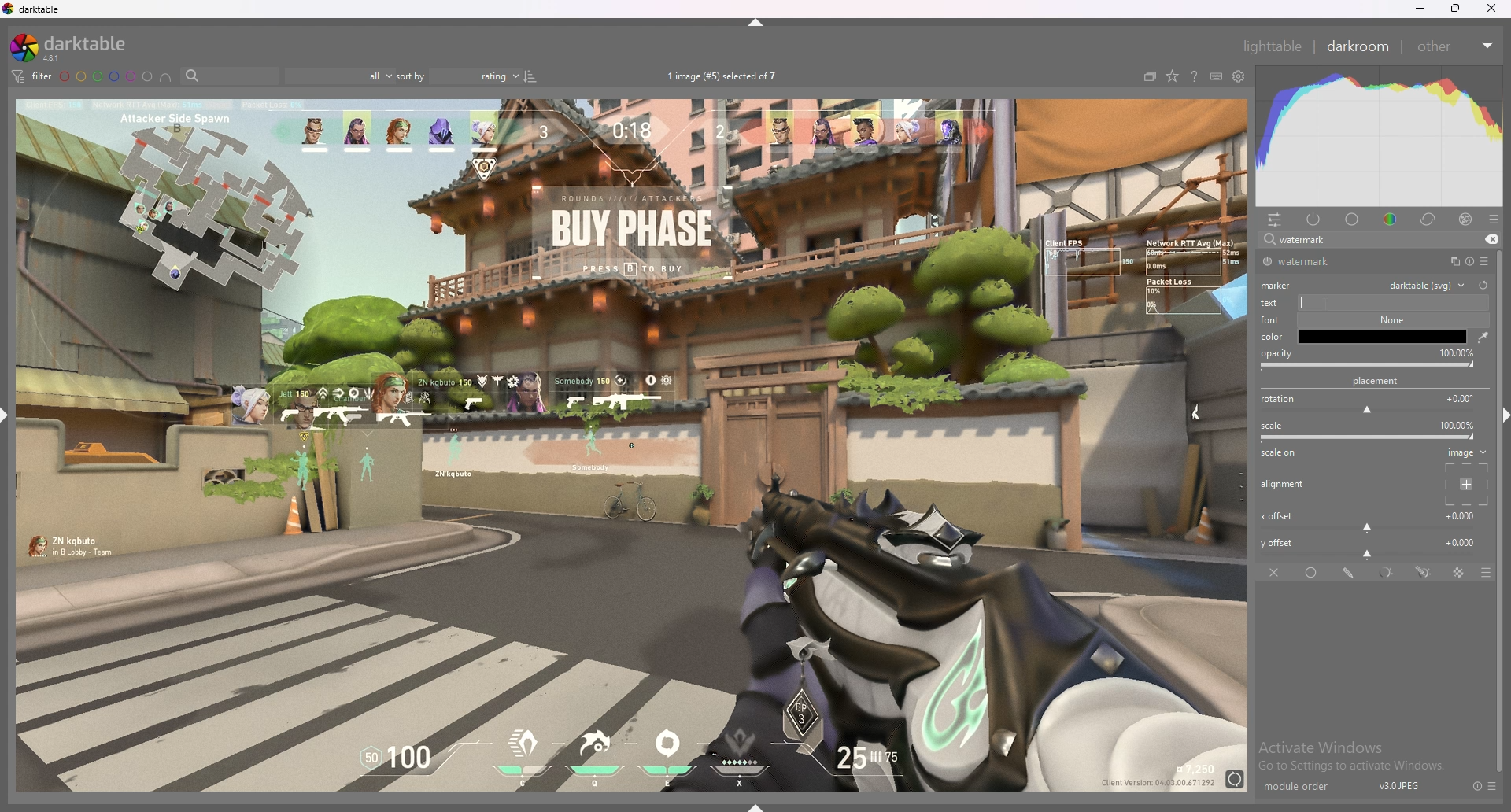 Image resolution: width=1511 pixels, height=812 pixels. I want to click on images selected, so click(725, 76).